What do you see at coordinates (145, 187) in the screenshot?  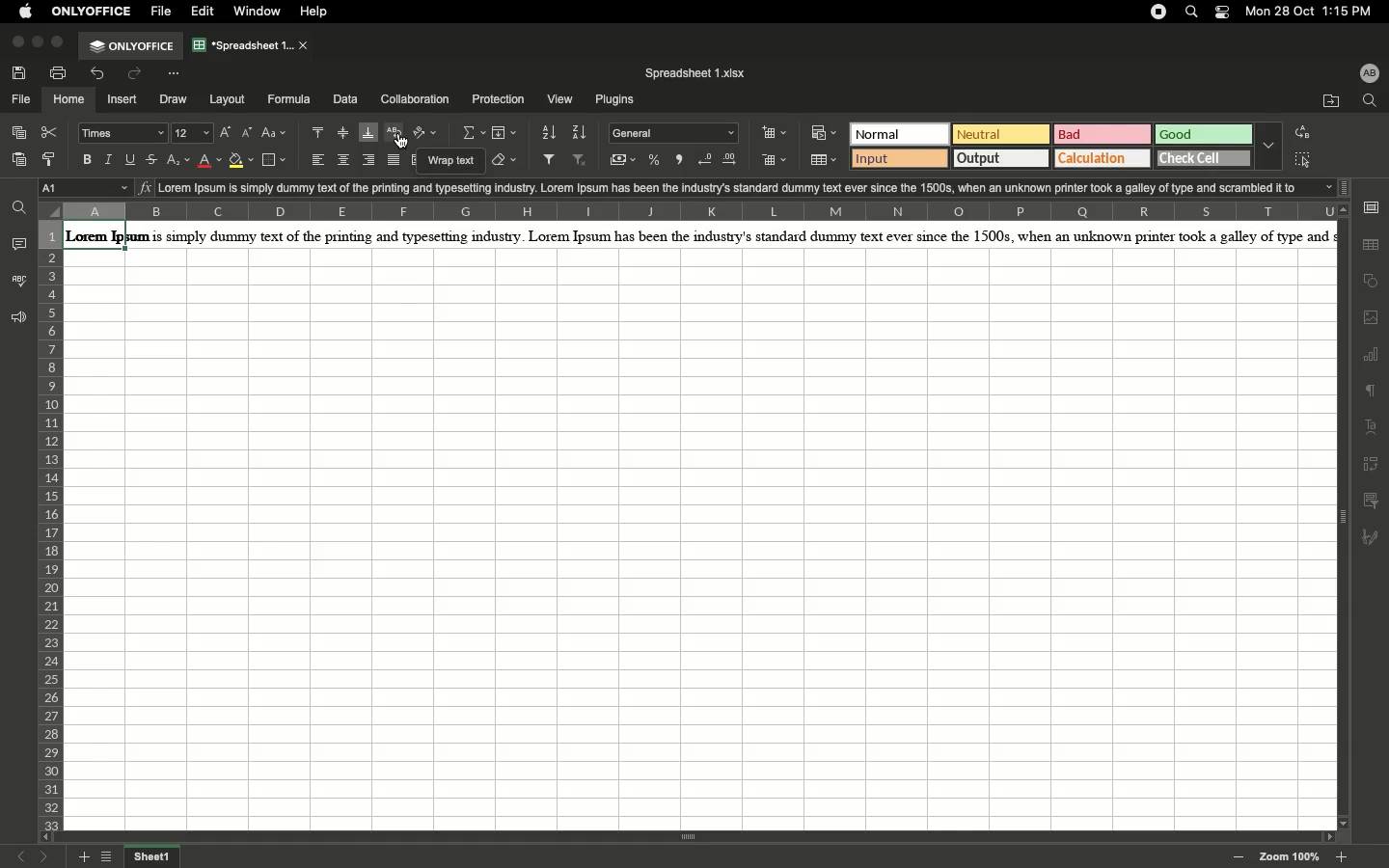 I see `Insert function` at bounding box center [145, 187].